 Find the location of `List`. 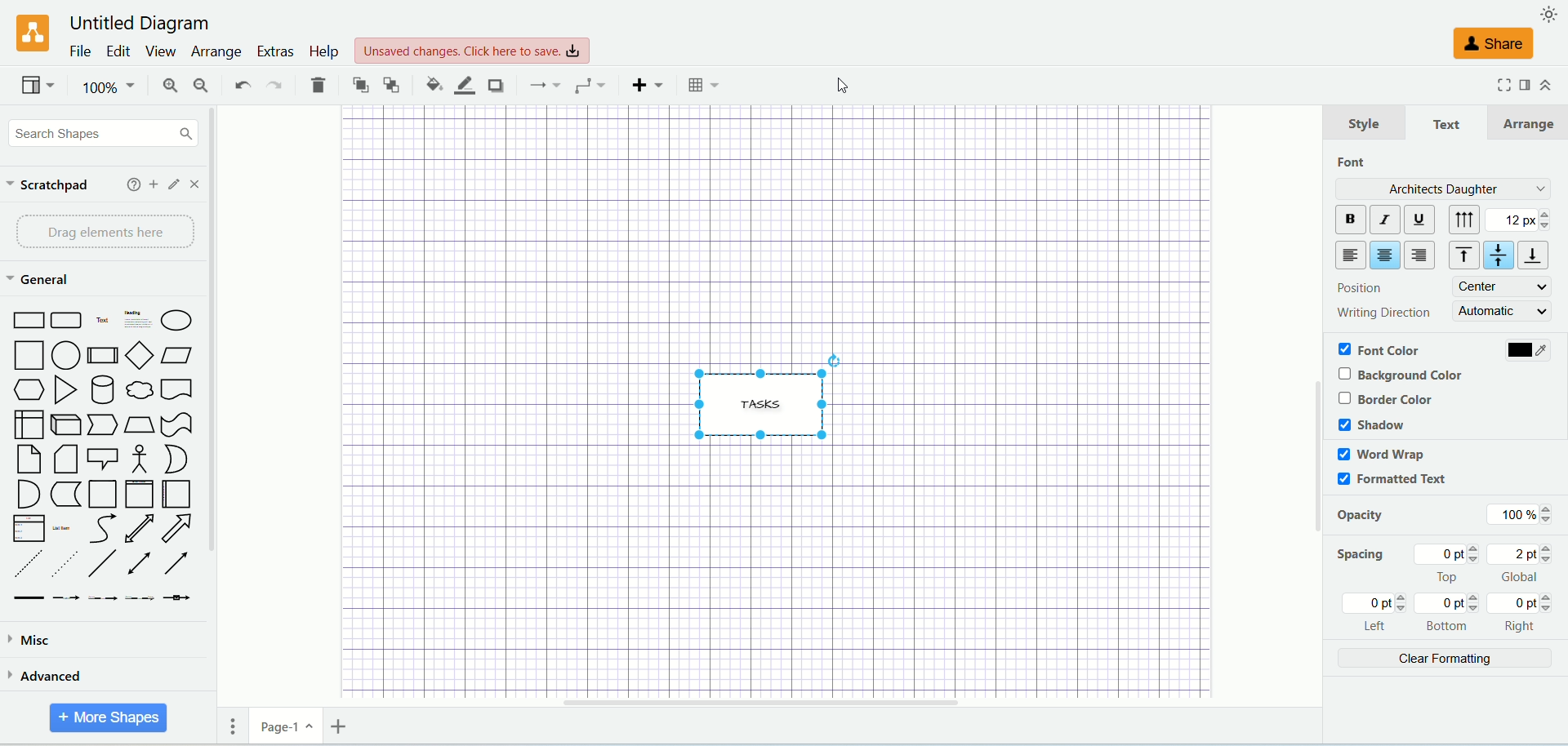

List is located at coordinates (29, 528).